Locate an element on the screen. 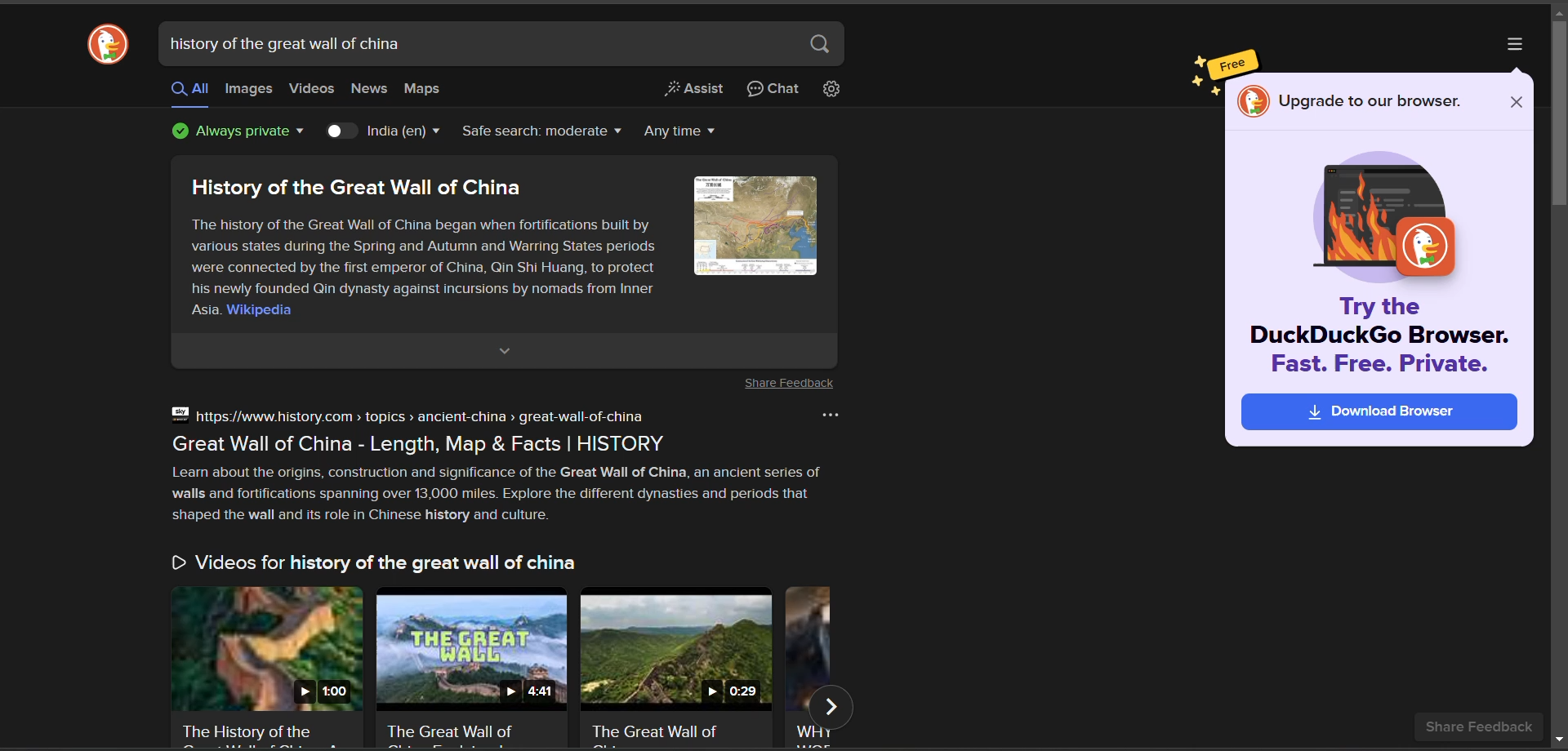  generate a short answer from the web is located at coordinates (694, 91).